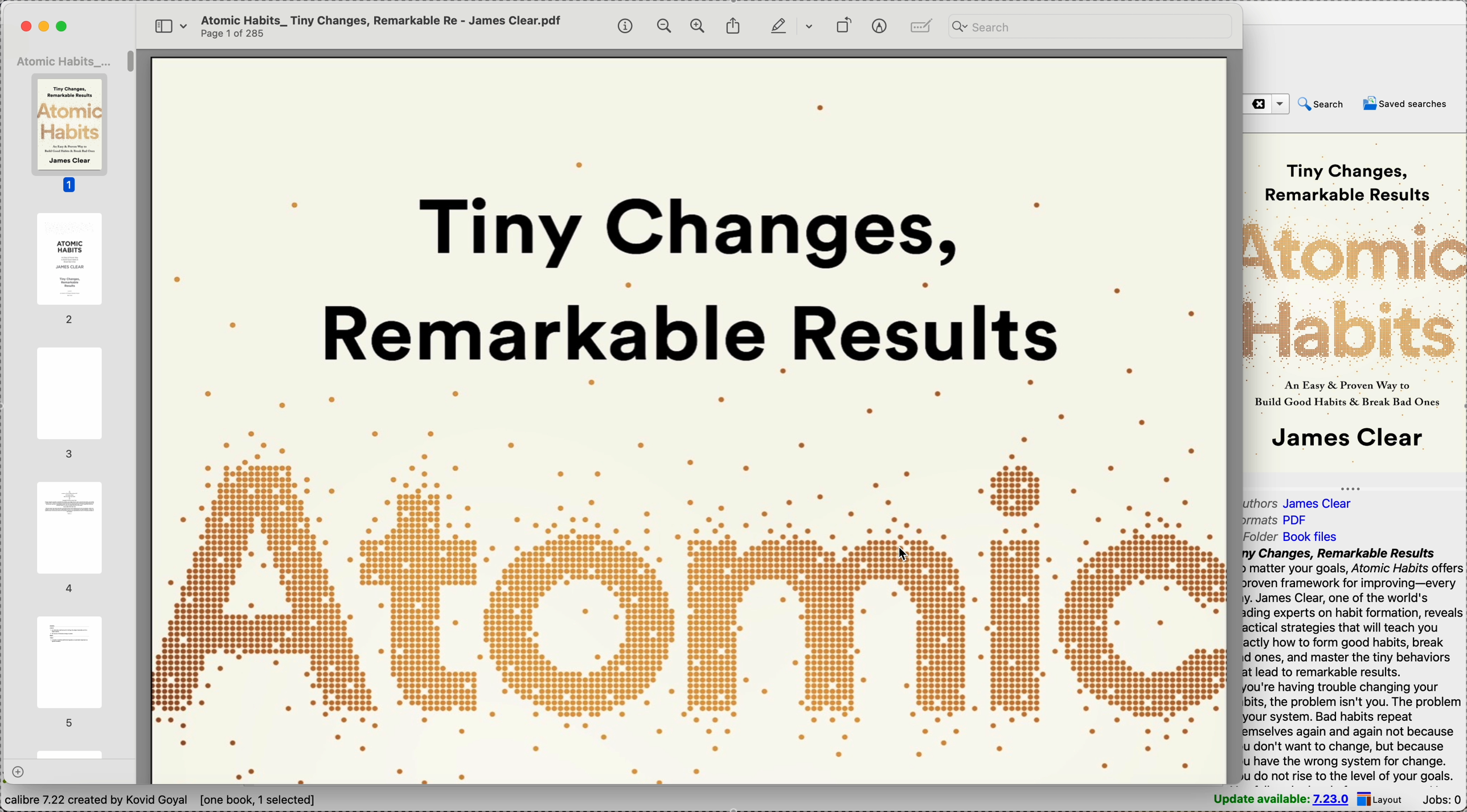 Image resolution: width=1467 pixels, height=812 pixels. I want to click on update available, so click(1280, 799).